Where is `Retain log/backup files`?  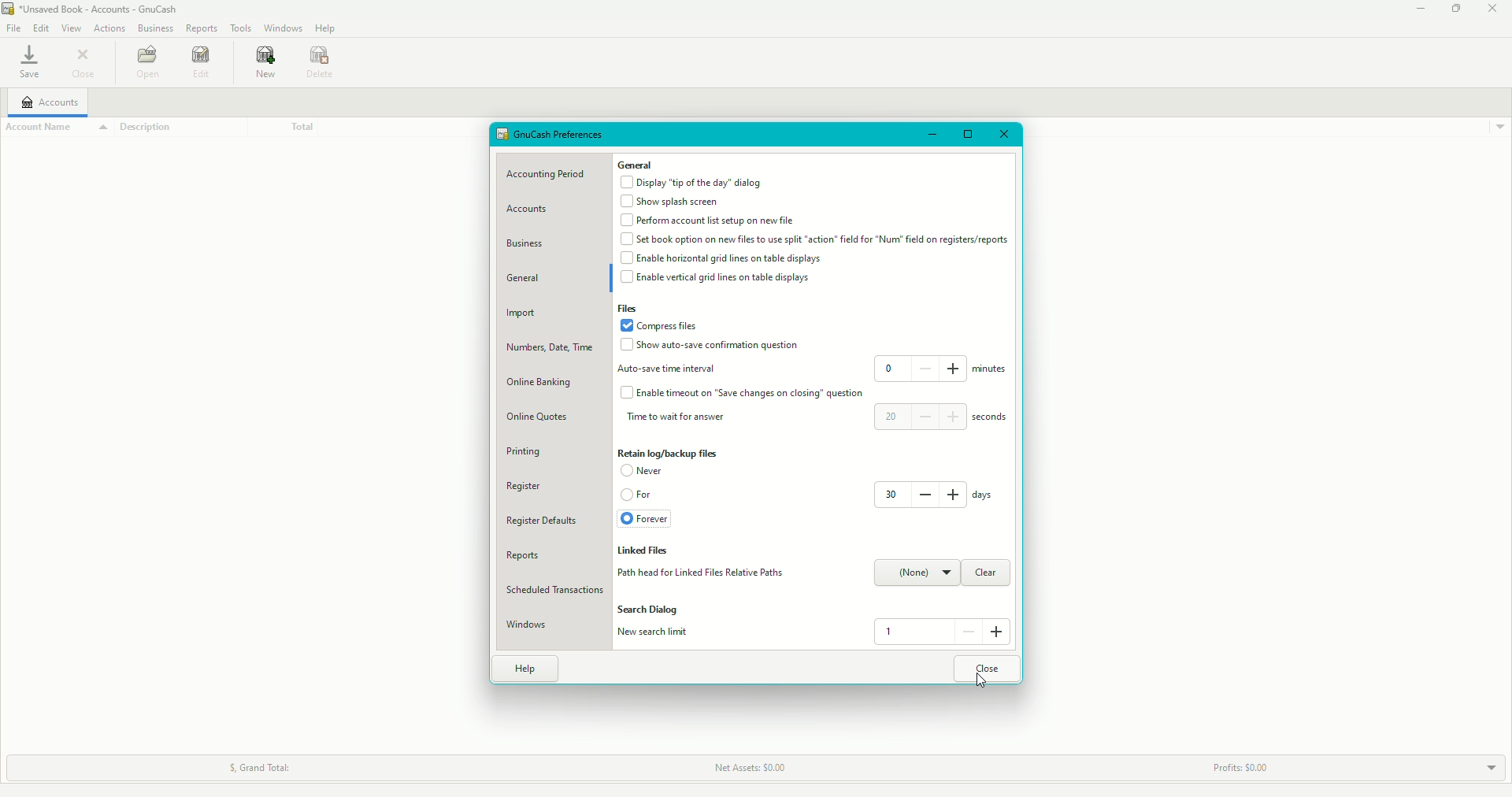 Retain log/backup files is located at coordinates (669, 453).